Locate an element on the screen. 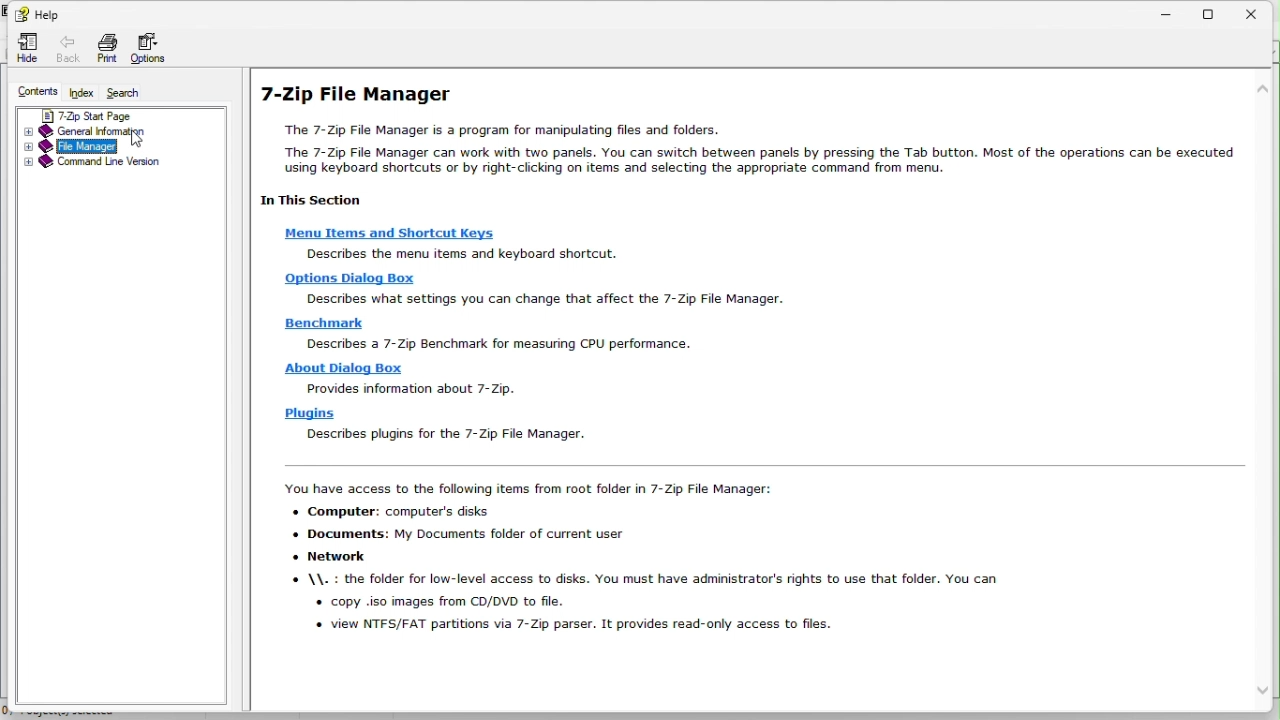 This screenshot has width=1280, height=720. restore is located at coordinates (1216, 11).